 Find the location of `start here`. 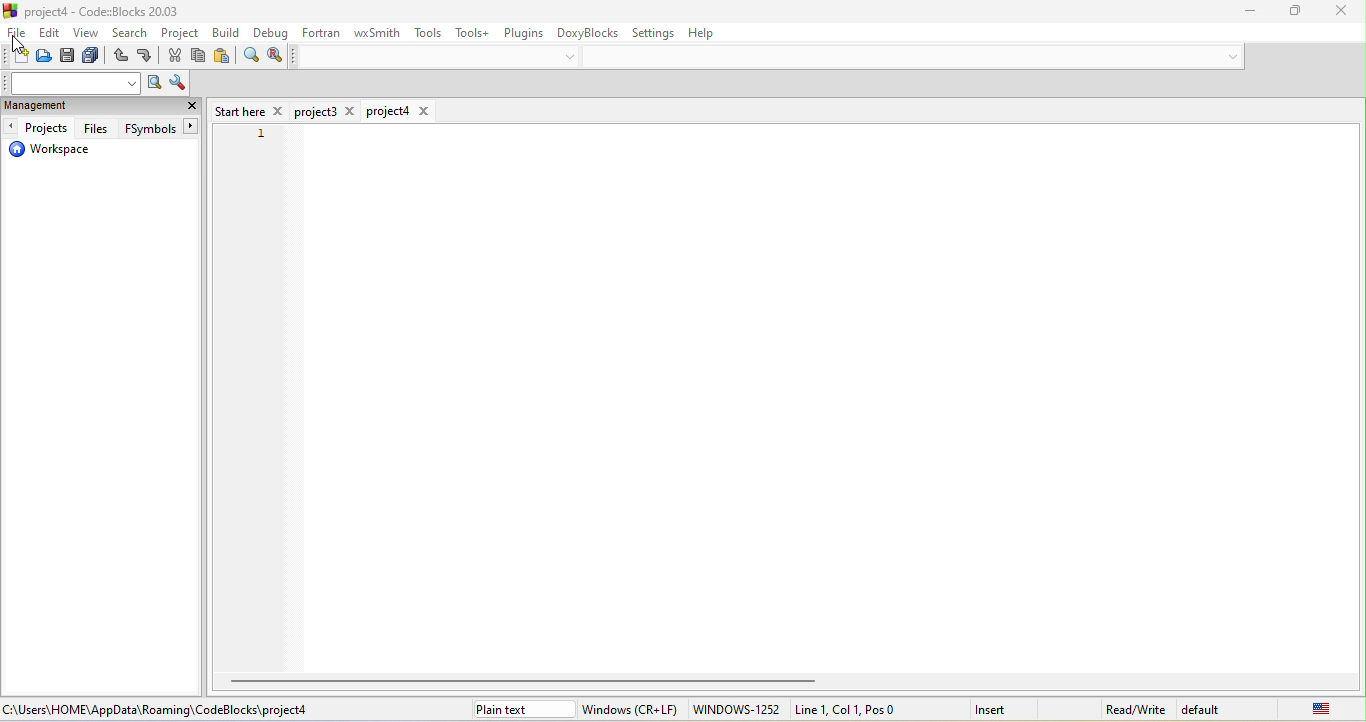

start here is located at coordinates (249, 110).